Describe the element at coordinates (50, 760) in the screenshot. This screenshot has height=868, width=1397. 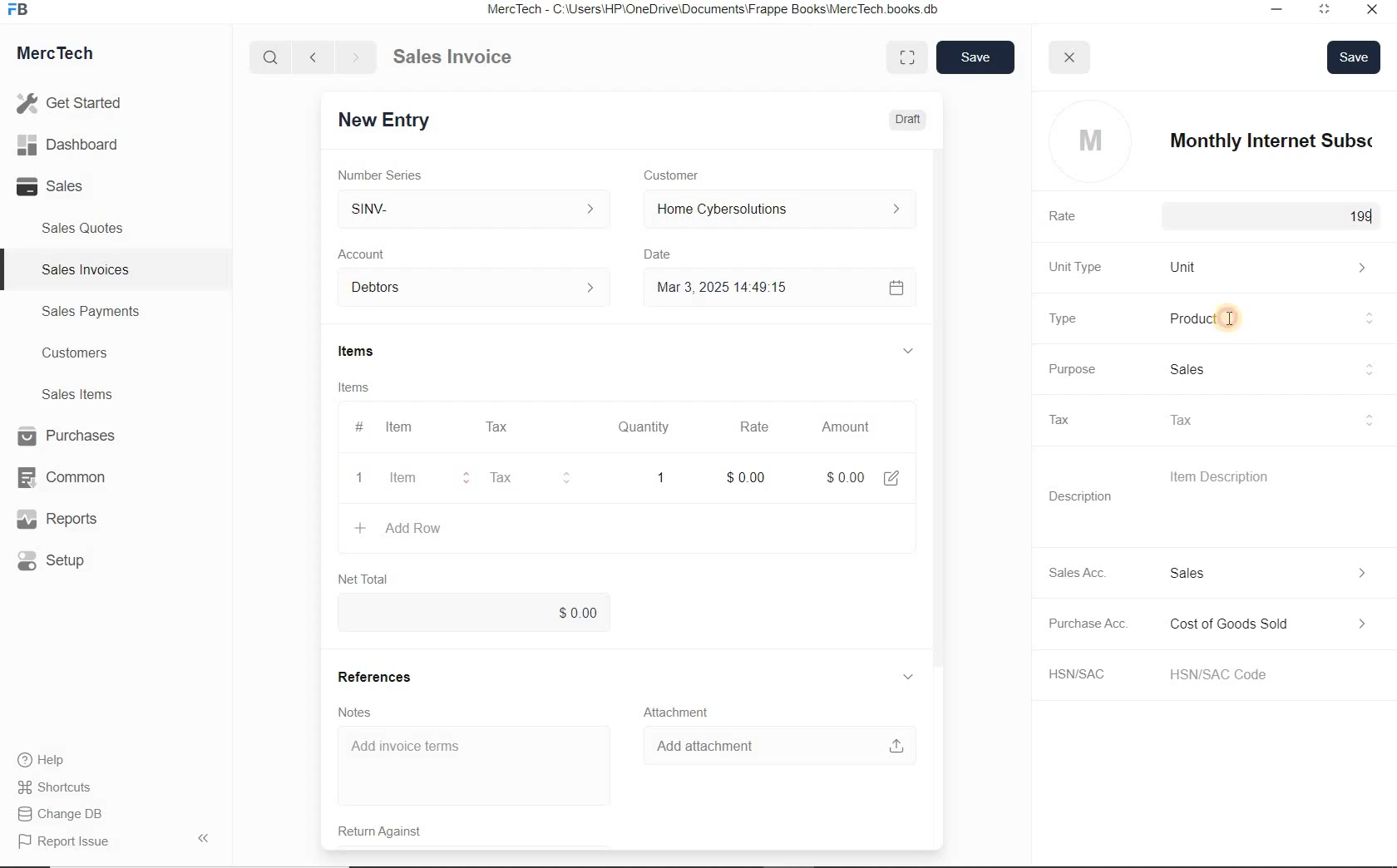
I see `Help` at that location.